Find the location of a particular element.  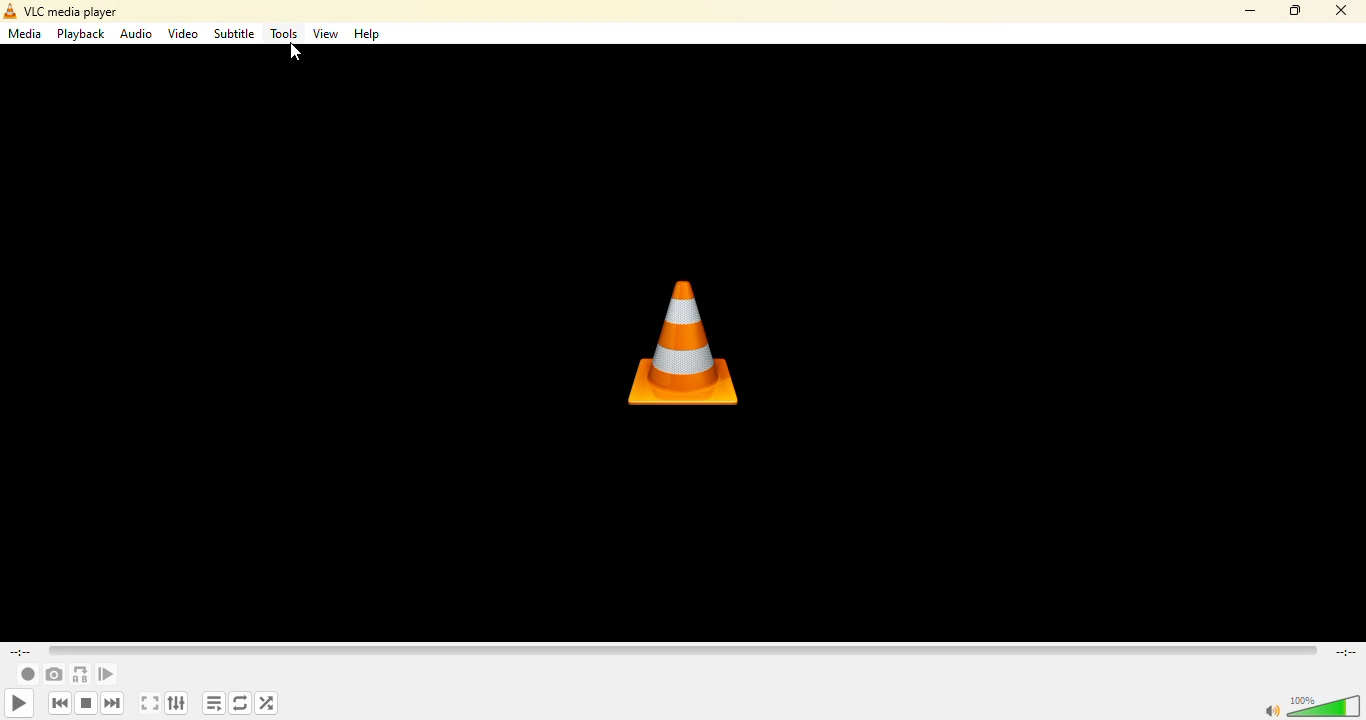

click to toggle between loop all, loop one and no loop is located at coordinates (240, 703).